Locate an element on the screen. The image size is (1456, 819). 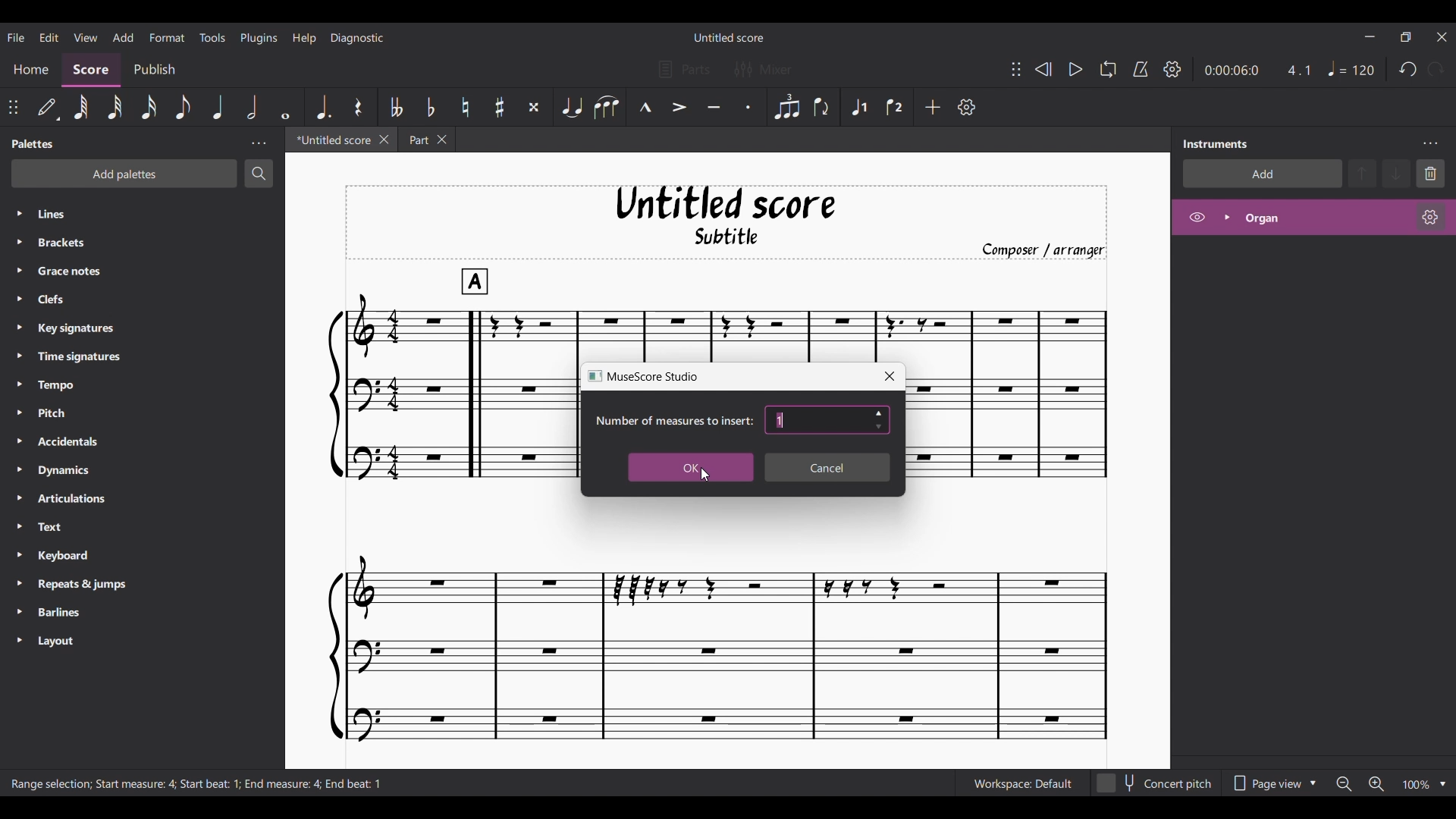
Current Workspace setting is located at coordinates (1022, 783).